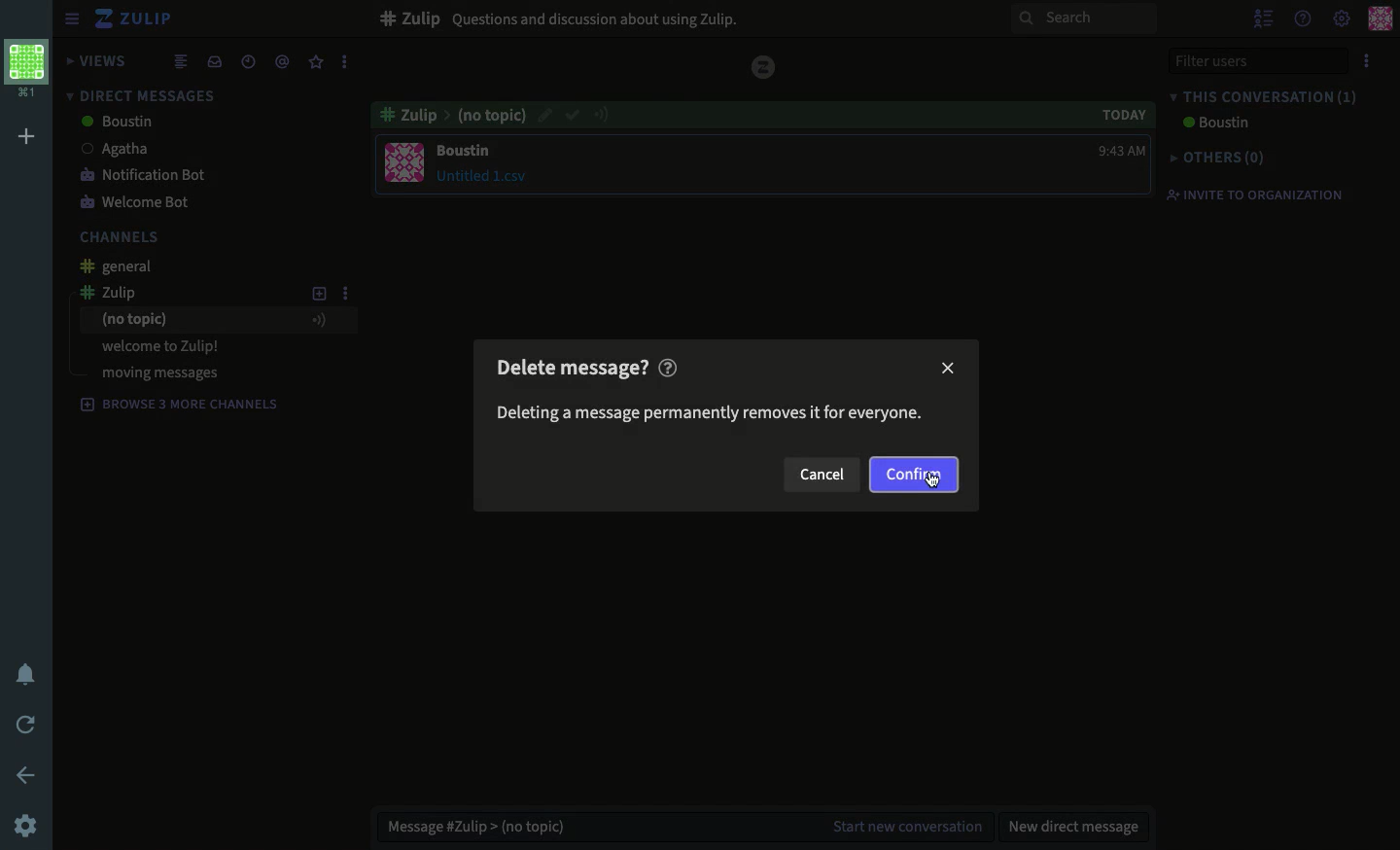 The height and width of the screenshot is (850, 1400). I want to click on message zulip, so click(476, 825).